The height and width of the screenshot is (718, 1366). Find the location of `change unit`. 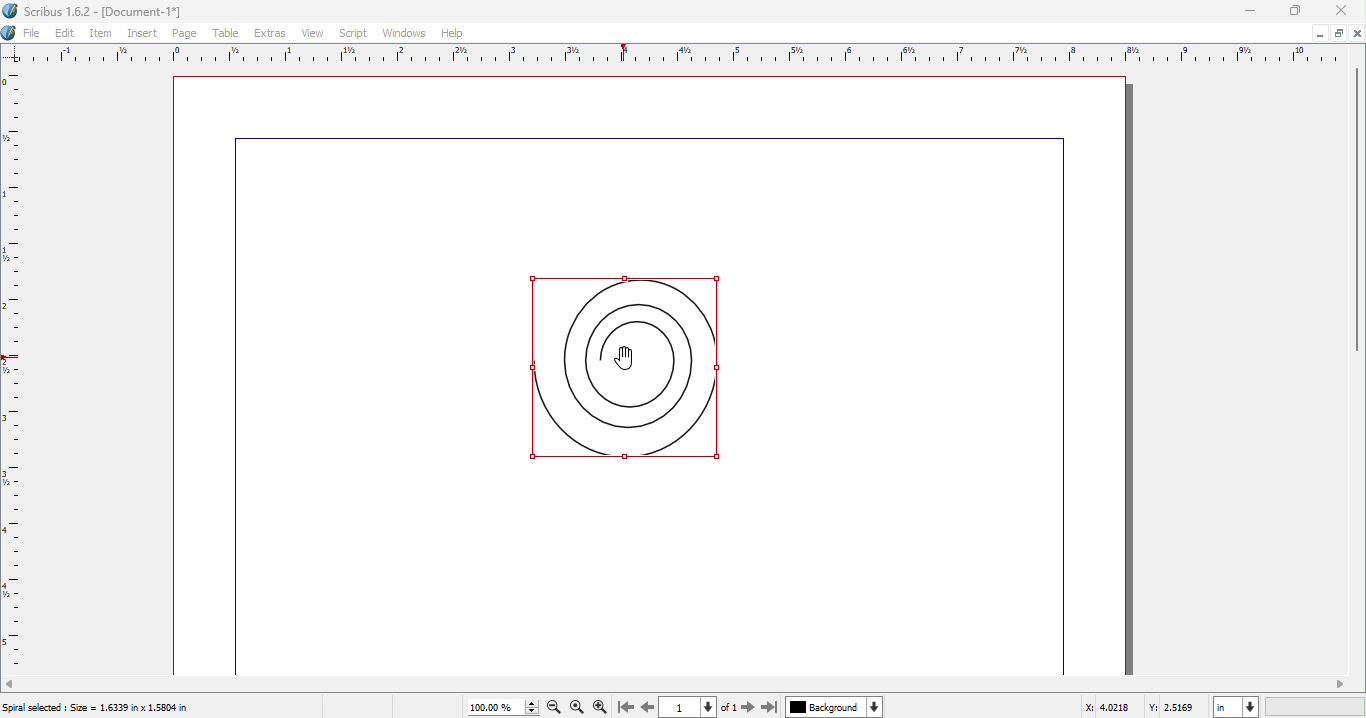

change unit is located at coordinates (1252, 707).